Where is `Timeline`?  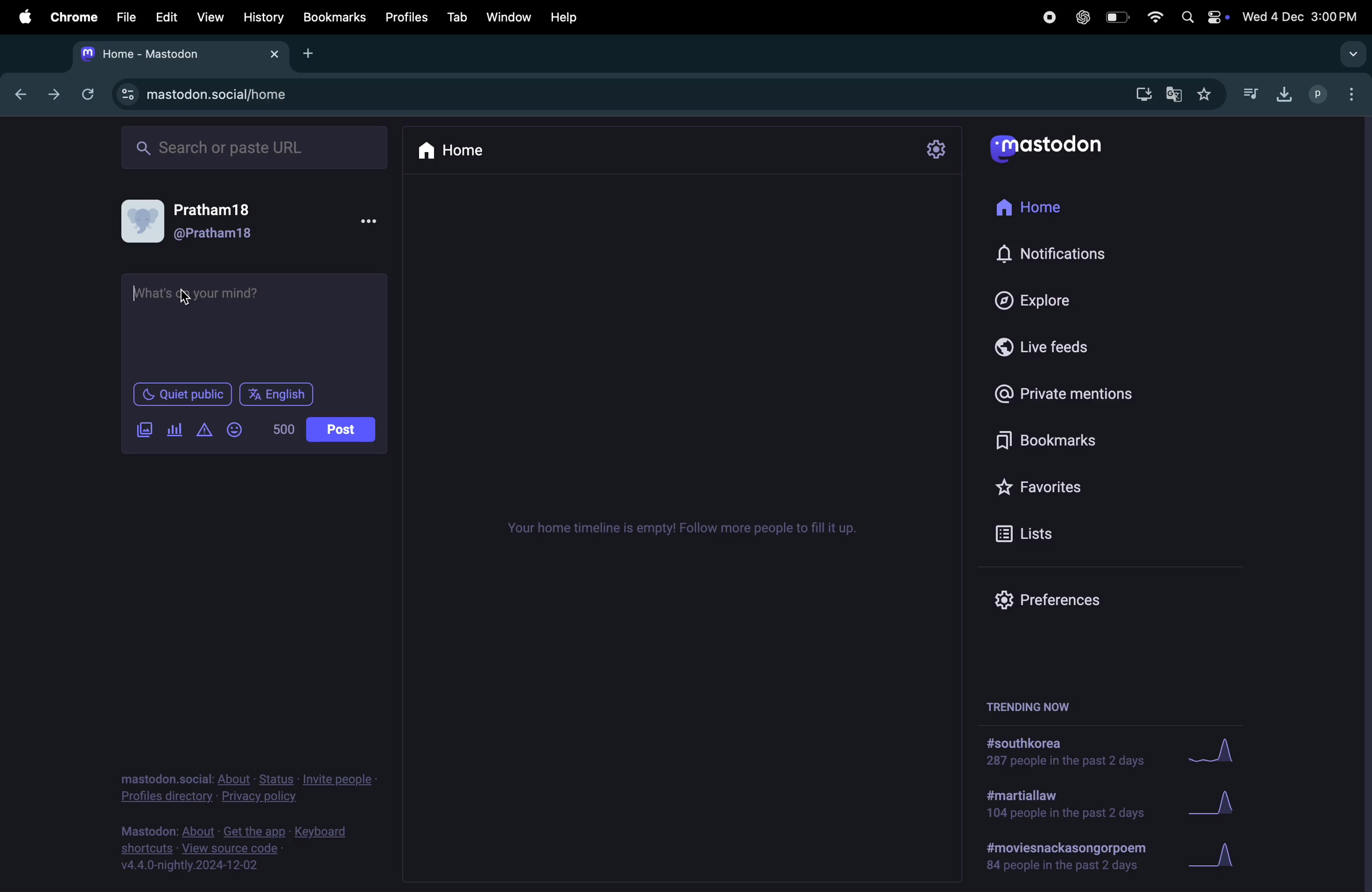
Timeline is located at coordinates (685, 527).